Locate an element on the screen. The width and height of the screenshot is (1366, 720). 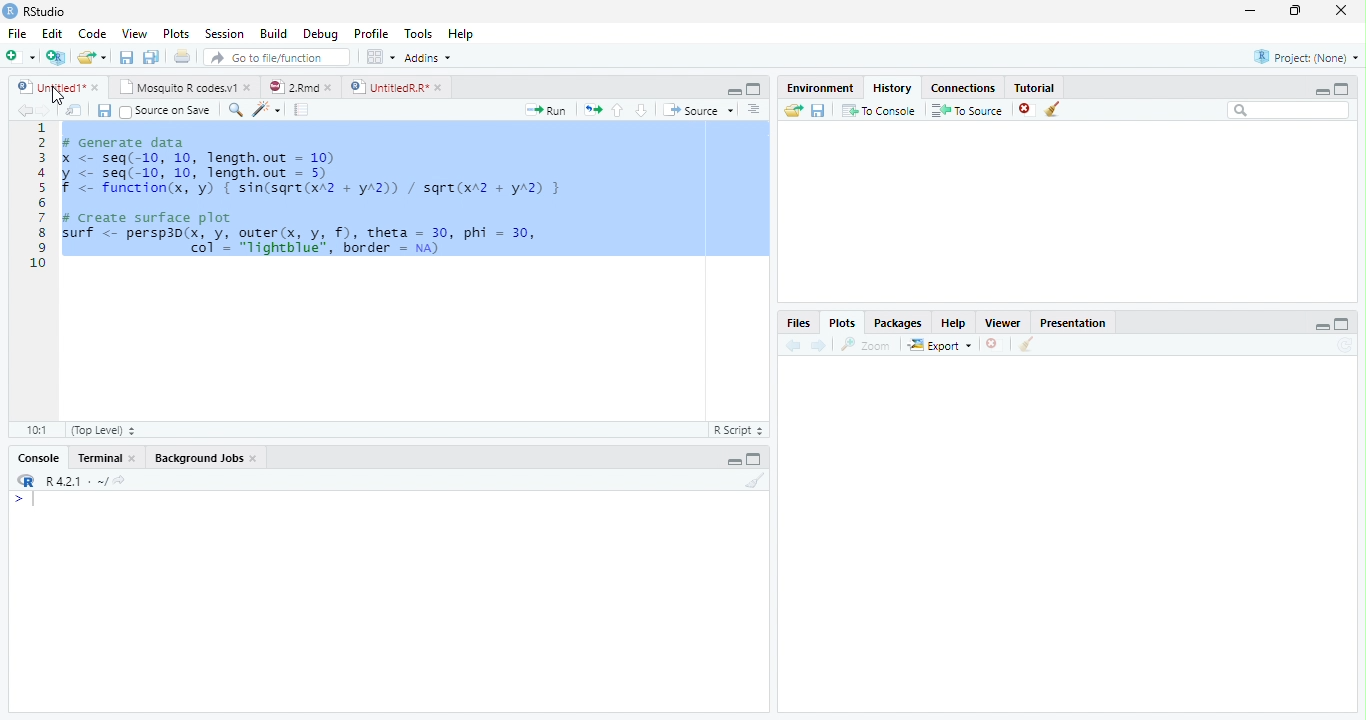
minimize is located at coordinates (1322, 327).